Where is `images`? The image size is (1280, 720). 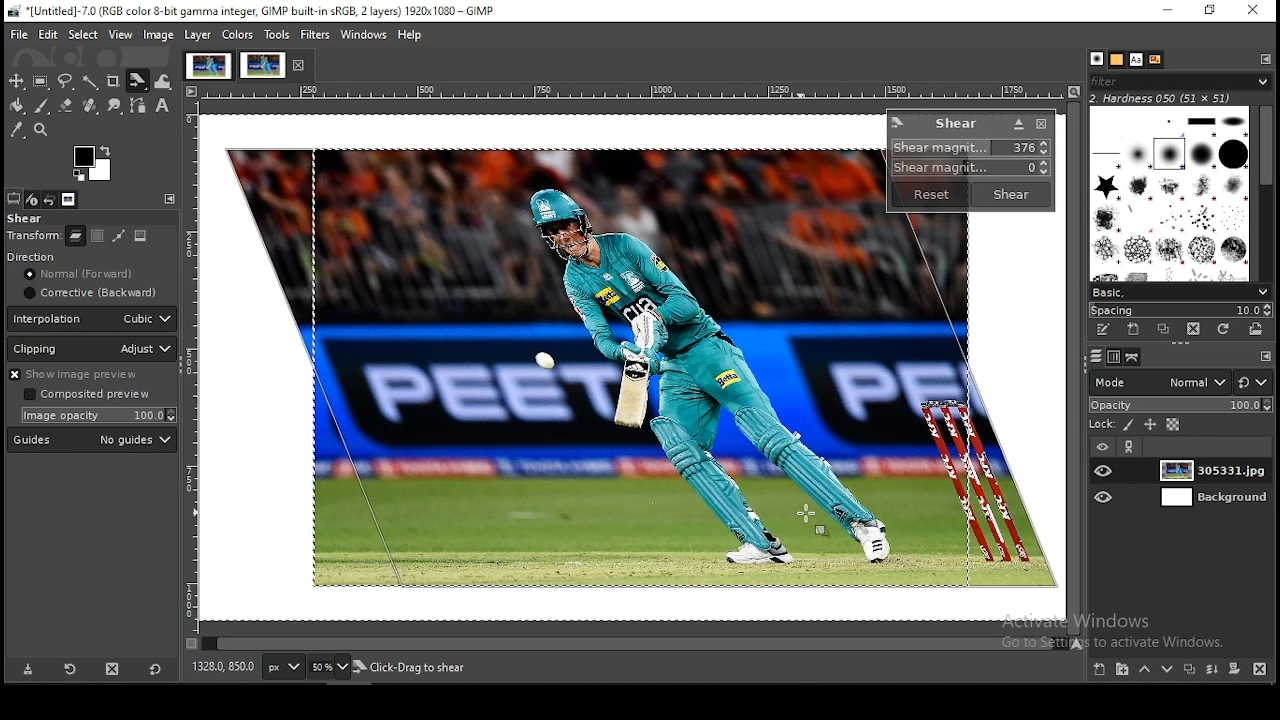 images is located at coordinates (70, 200).